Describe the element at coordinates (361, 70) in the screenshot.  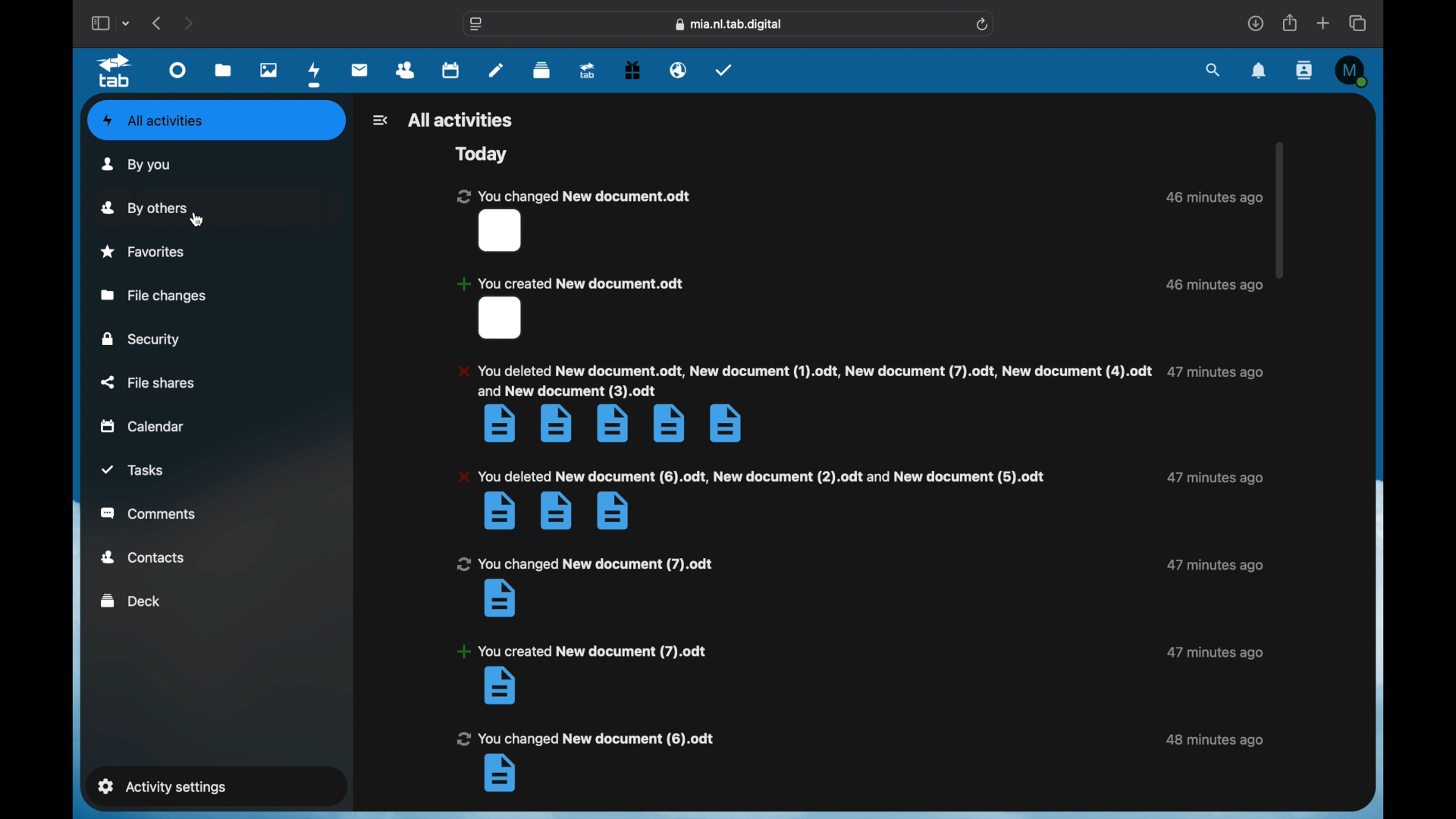
I see `mail` at that location.